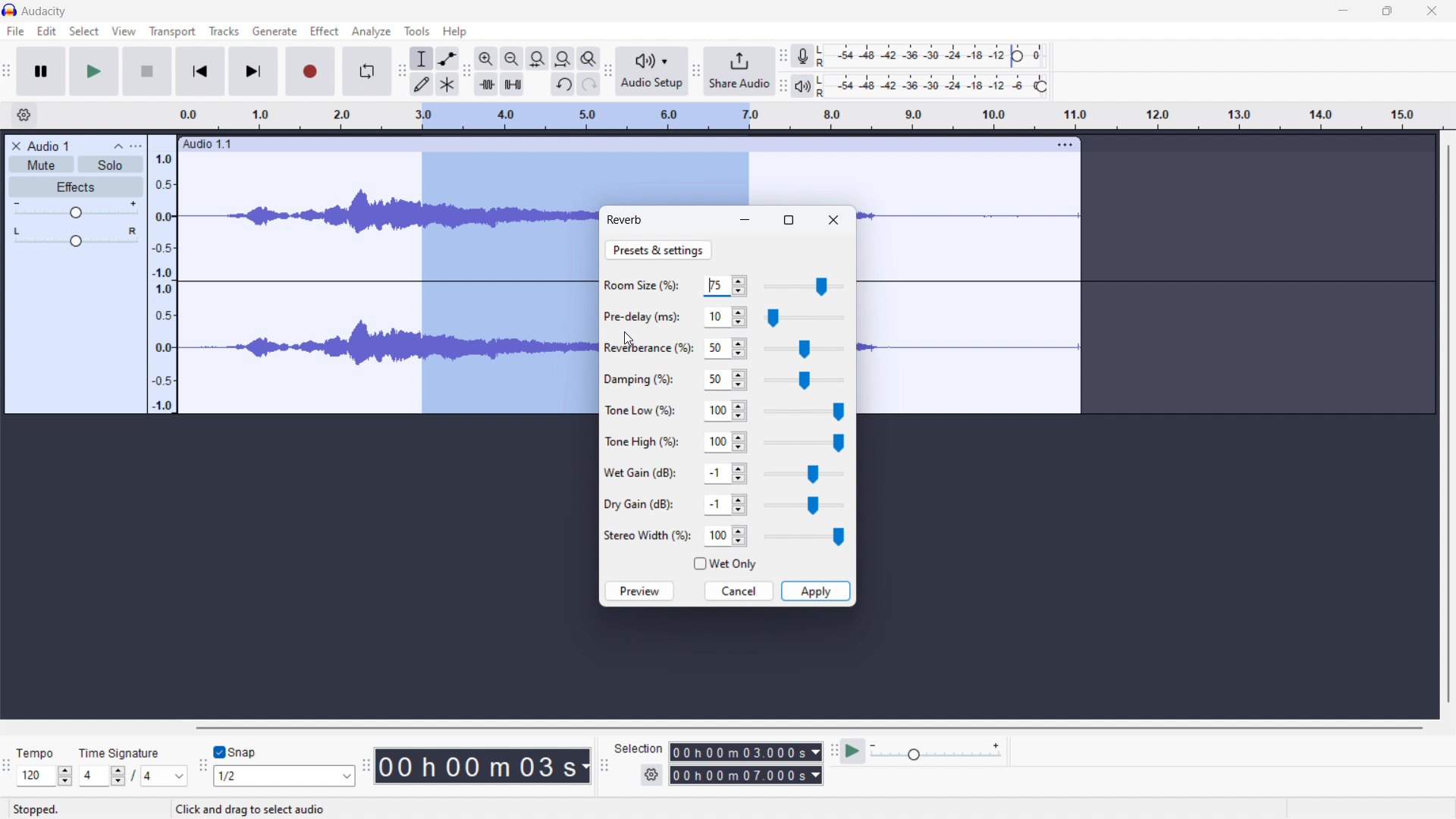  Describe the element at coordinates (934, 57) in the screenshot. I see `recording level` at that location.